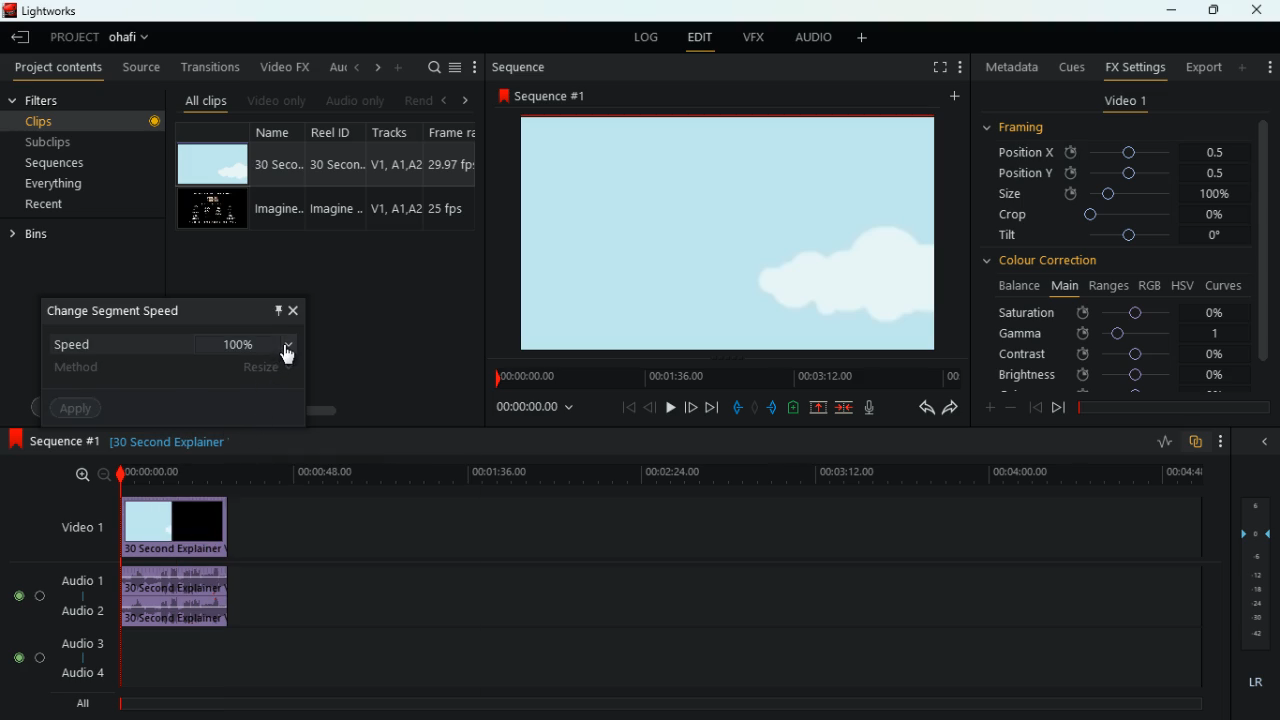  Describe the element at coordinates (754, 406) in the screenshot. I see `hold` at that location.